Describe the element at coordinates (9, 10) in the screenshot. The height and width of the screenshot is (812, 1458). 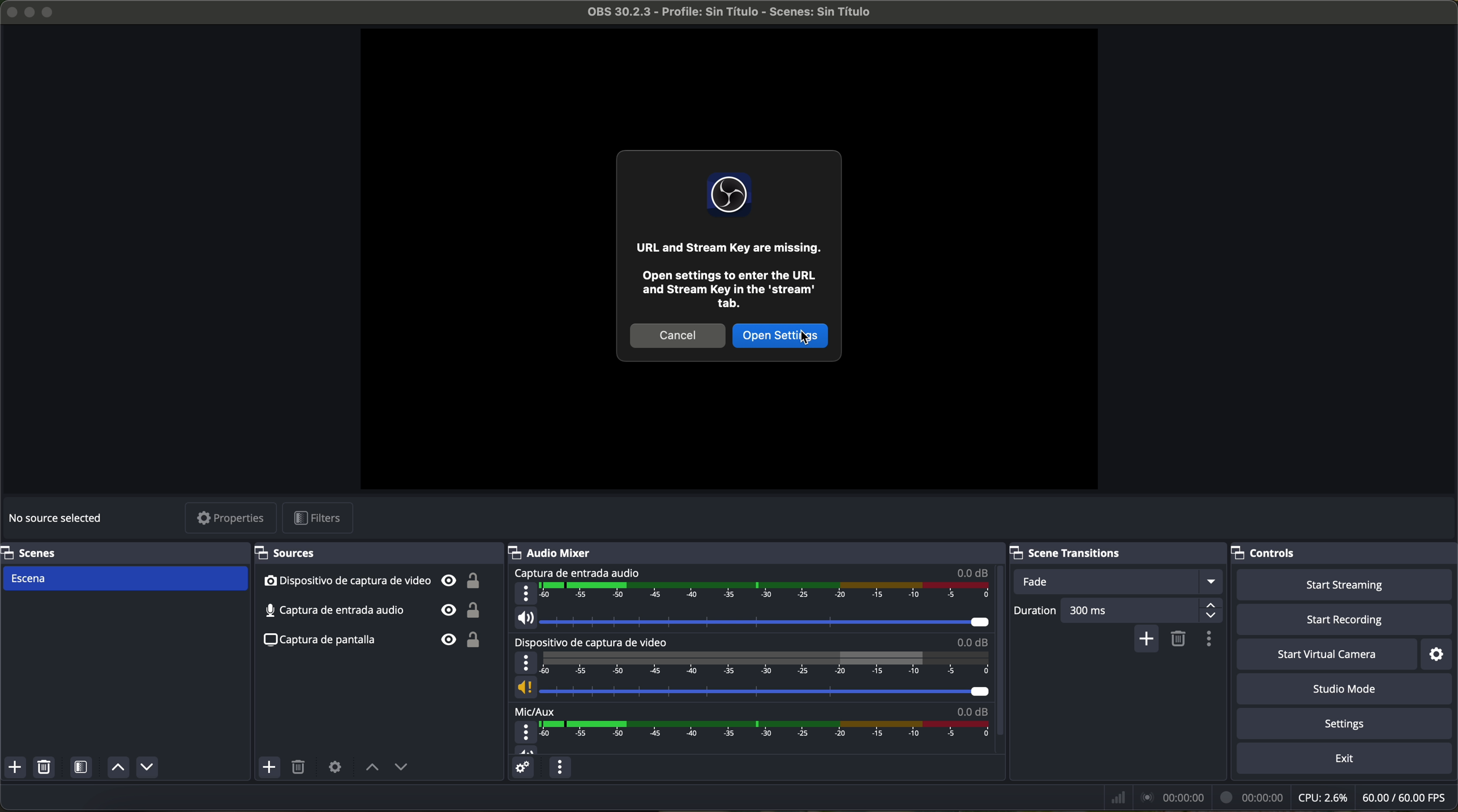
I see `close program` at that location.